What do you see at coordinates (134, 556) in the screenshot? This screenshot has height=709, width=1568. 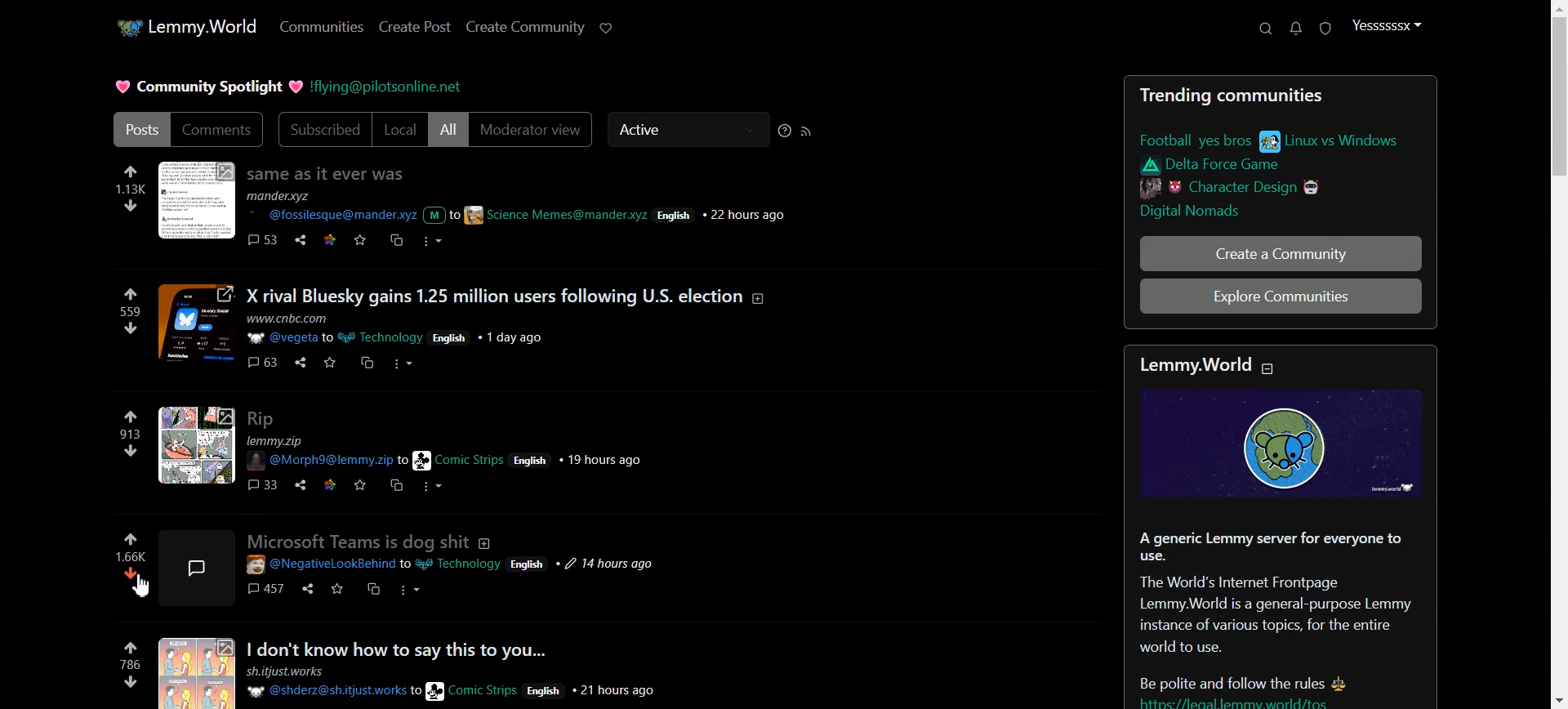 I see `Display vote` at bounding box center [134, 556].